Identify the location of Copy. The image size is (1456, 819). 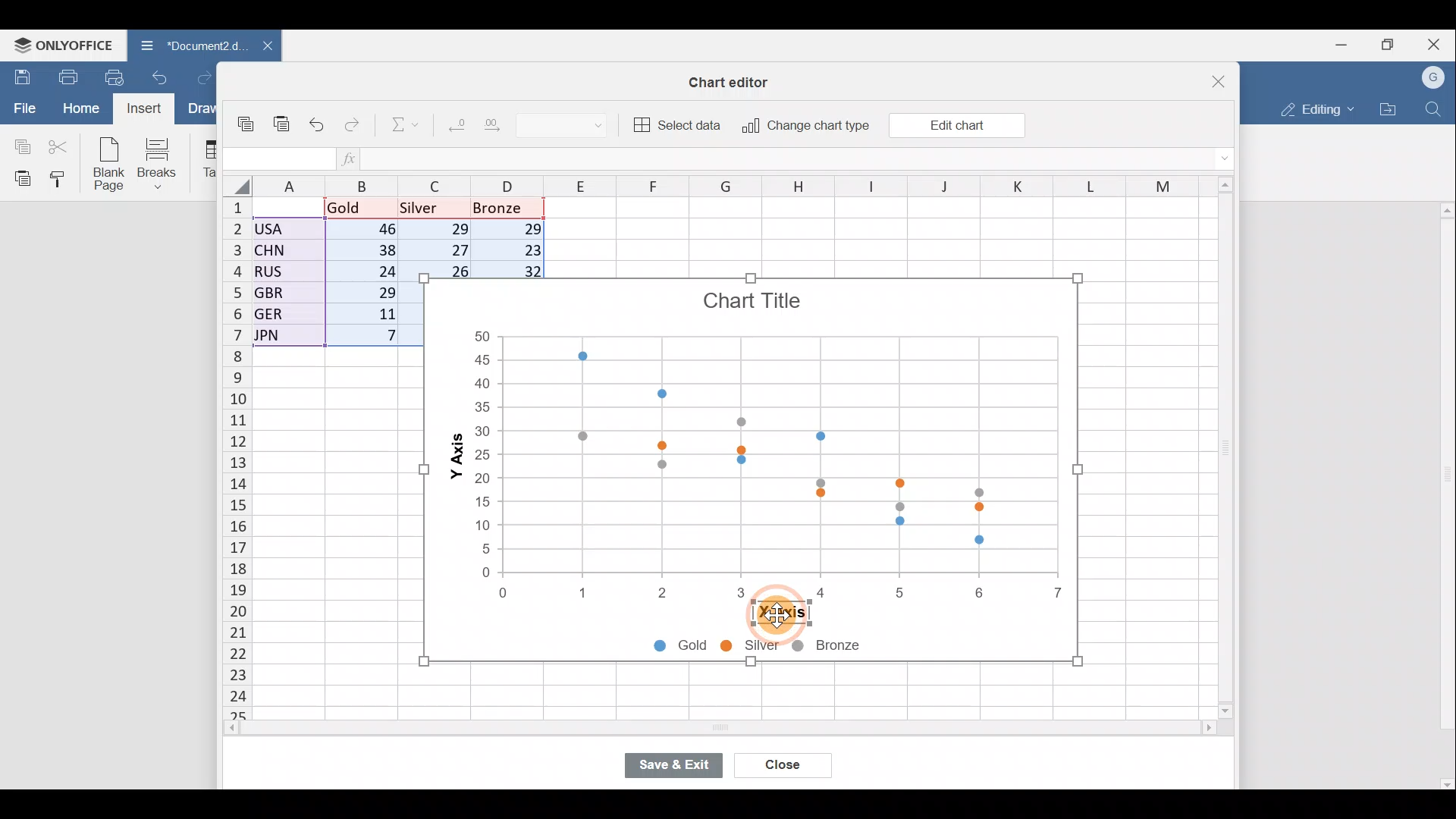
(247, 118).